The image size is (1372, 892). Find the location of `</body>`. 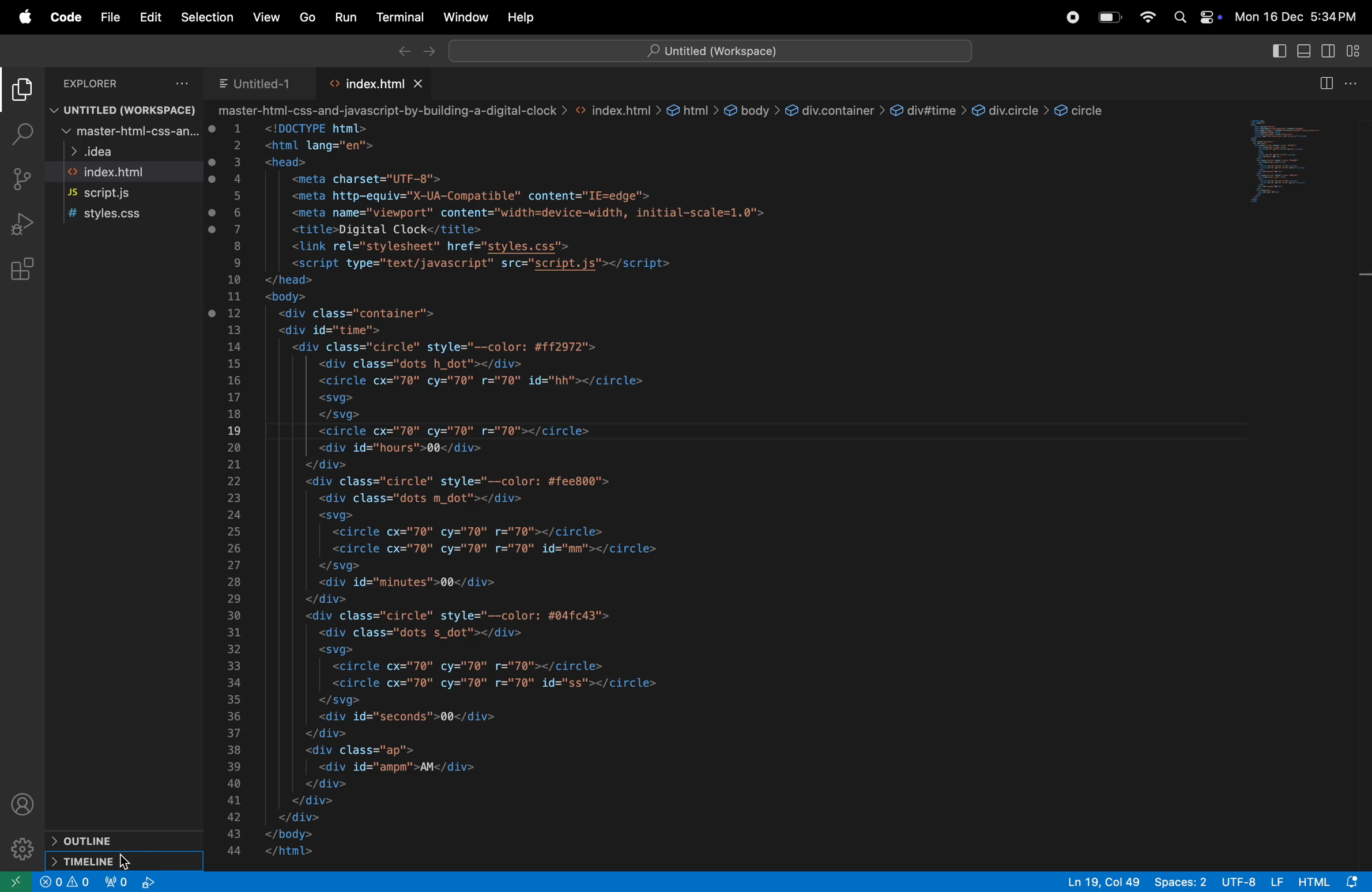

</body> is located at coordinates (295, 834).